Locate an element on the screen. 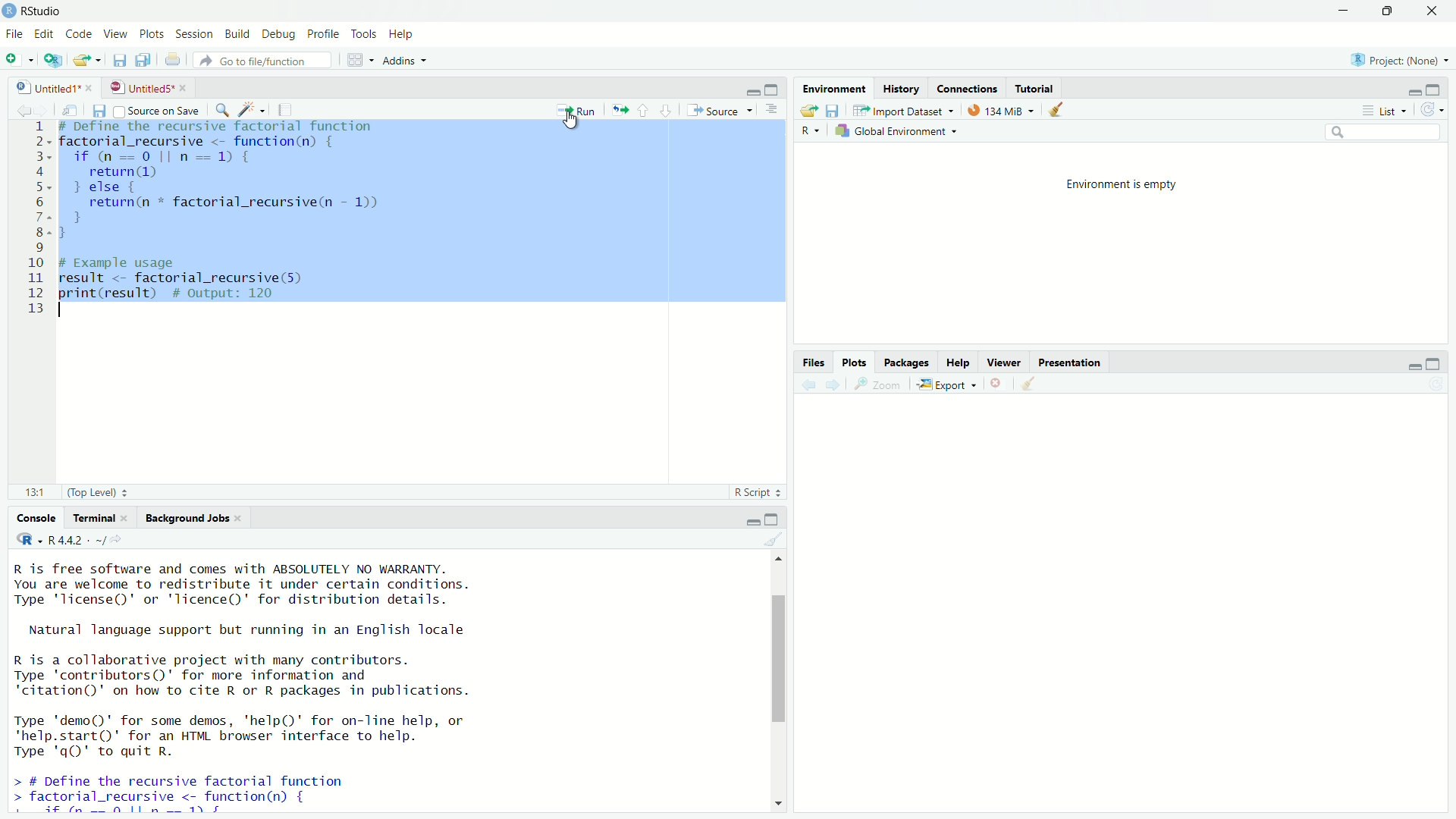  Untitled5* is located at coordinates (143, 87).